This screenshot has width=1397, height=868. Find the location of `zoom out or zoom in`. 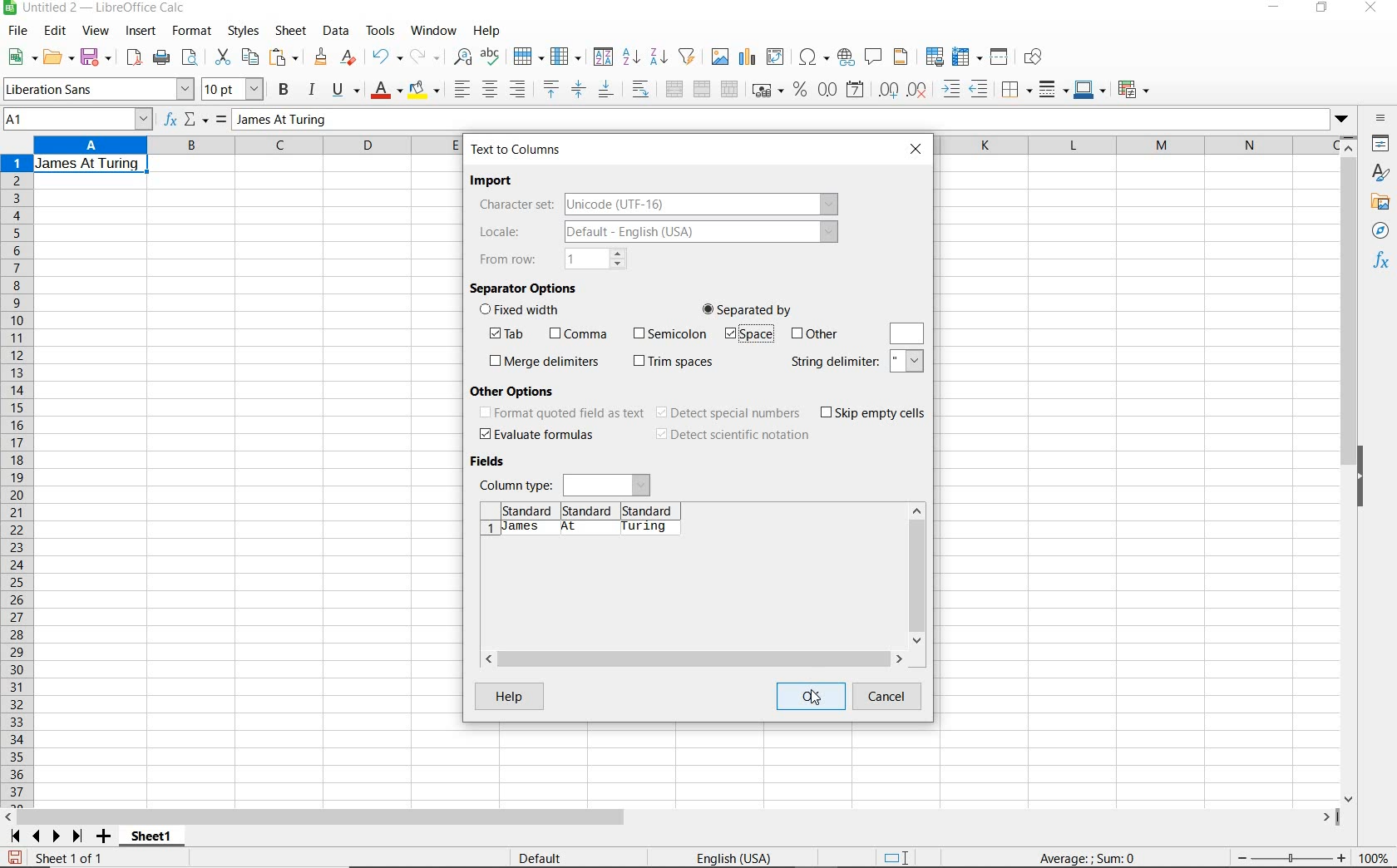

zoom out or zoom in is located at coordinates (1290, 856).